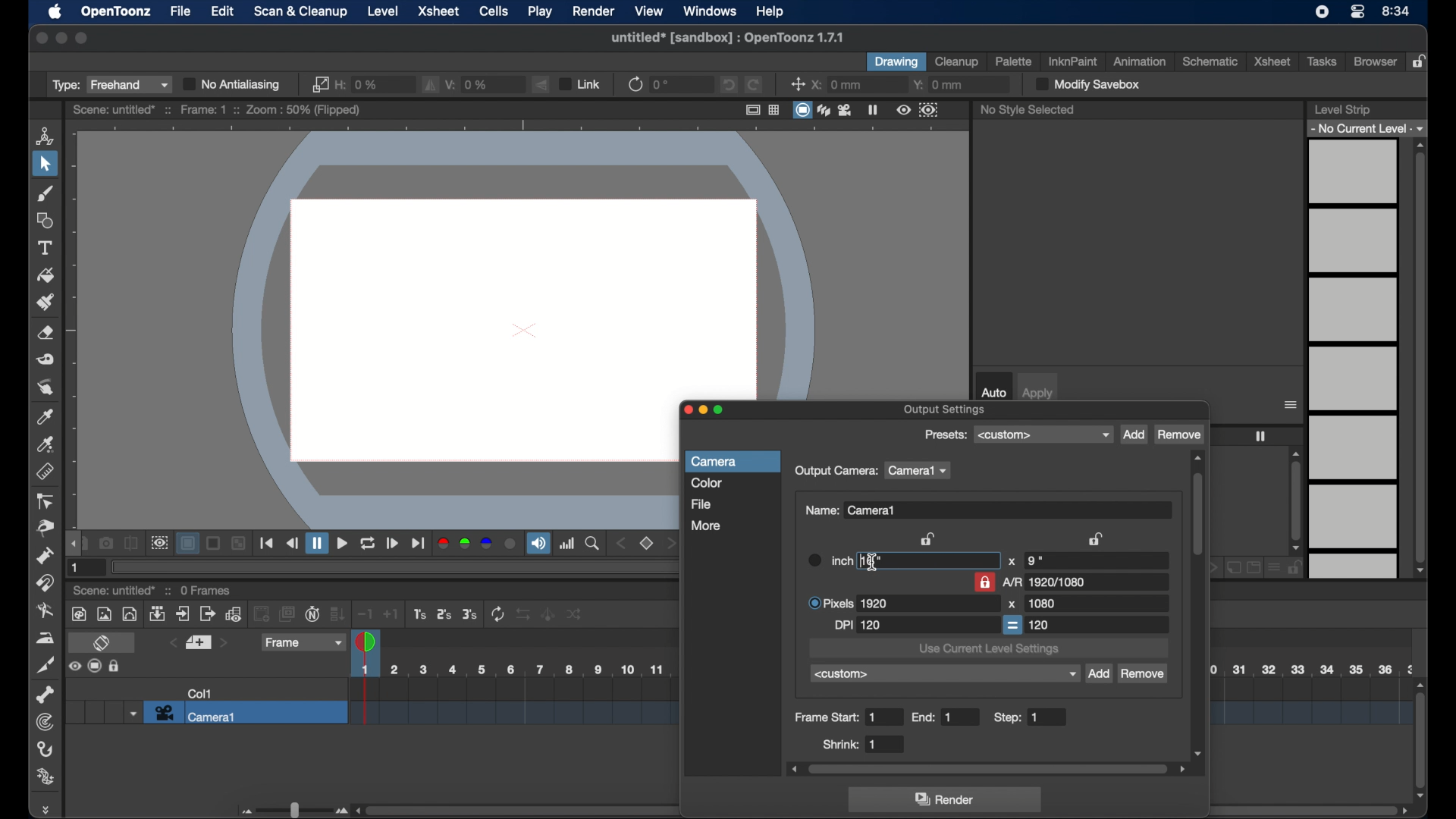 The width and height of the screenshot is (1456, 819). I want to click on x, so click(1012, 604).